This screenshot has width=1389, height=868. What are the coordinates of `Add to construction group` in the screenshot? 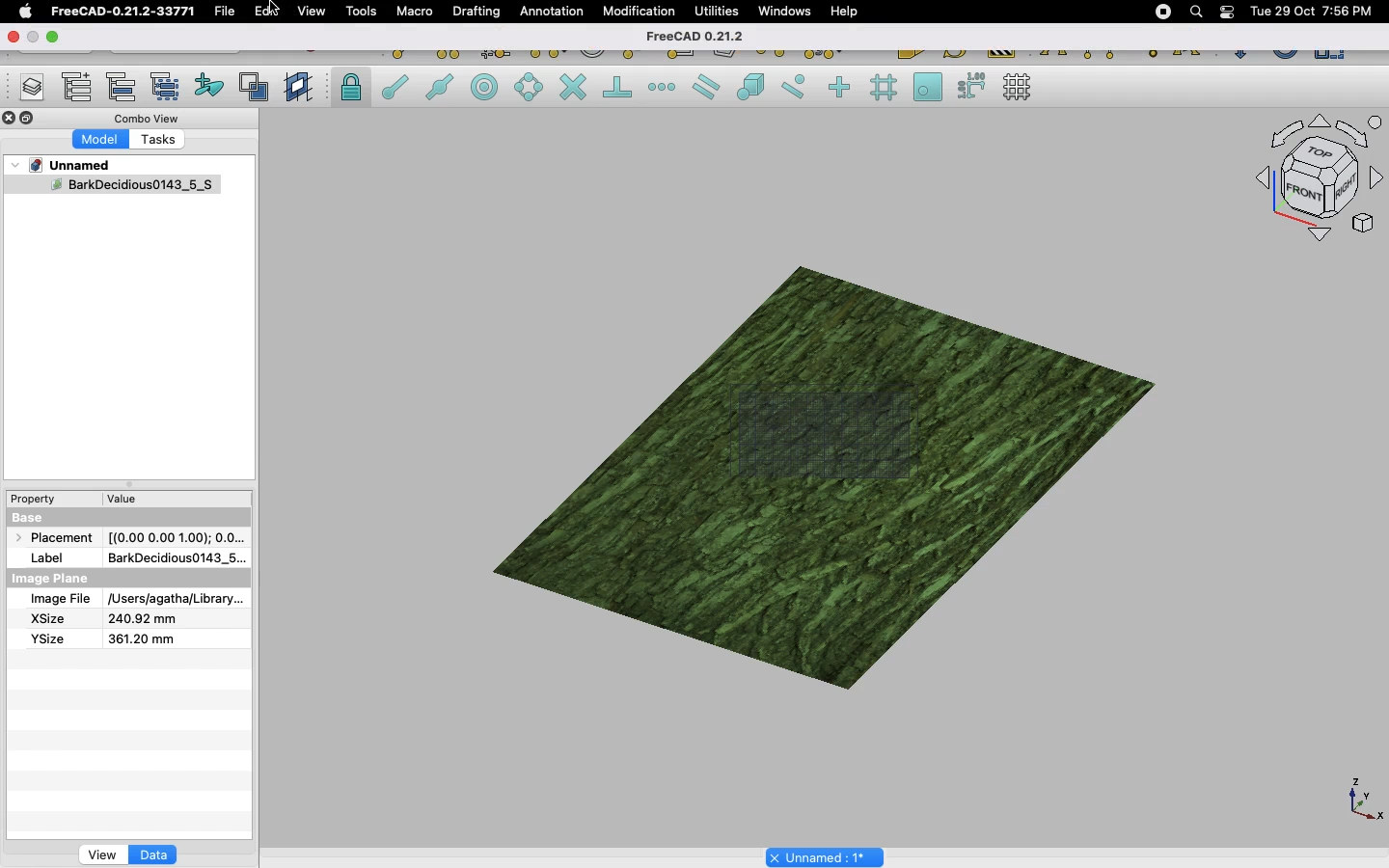 It's located at (210, 84).